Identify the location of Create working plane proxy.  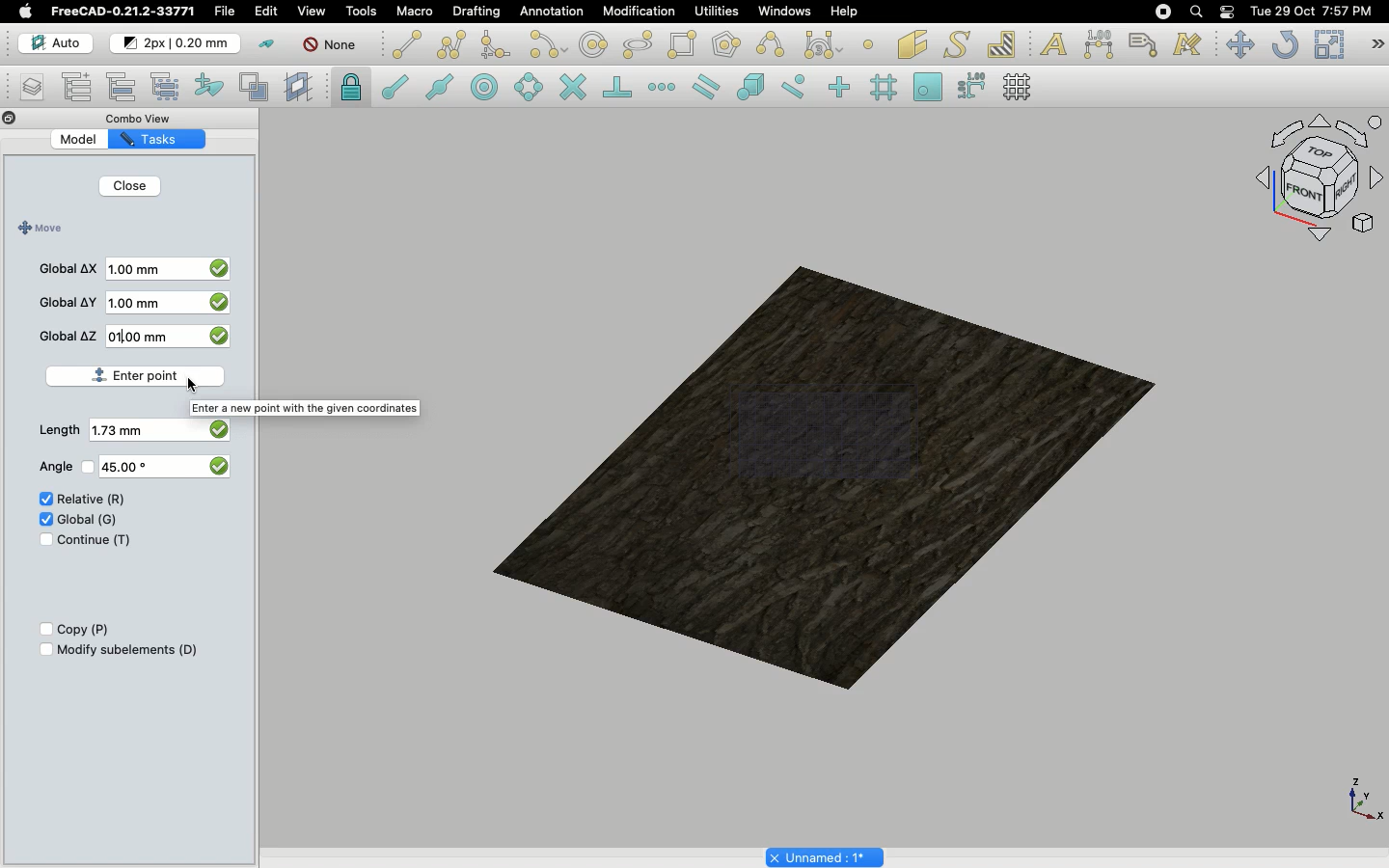
(258, 88).